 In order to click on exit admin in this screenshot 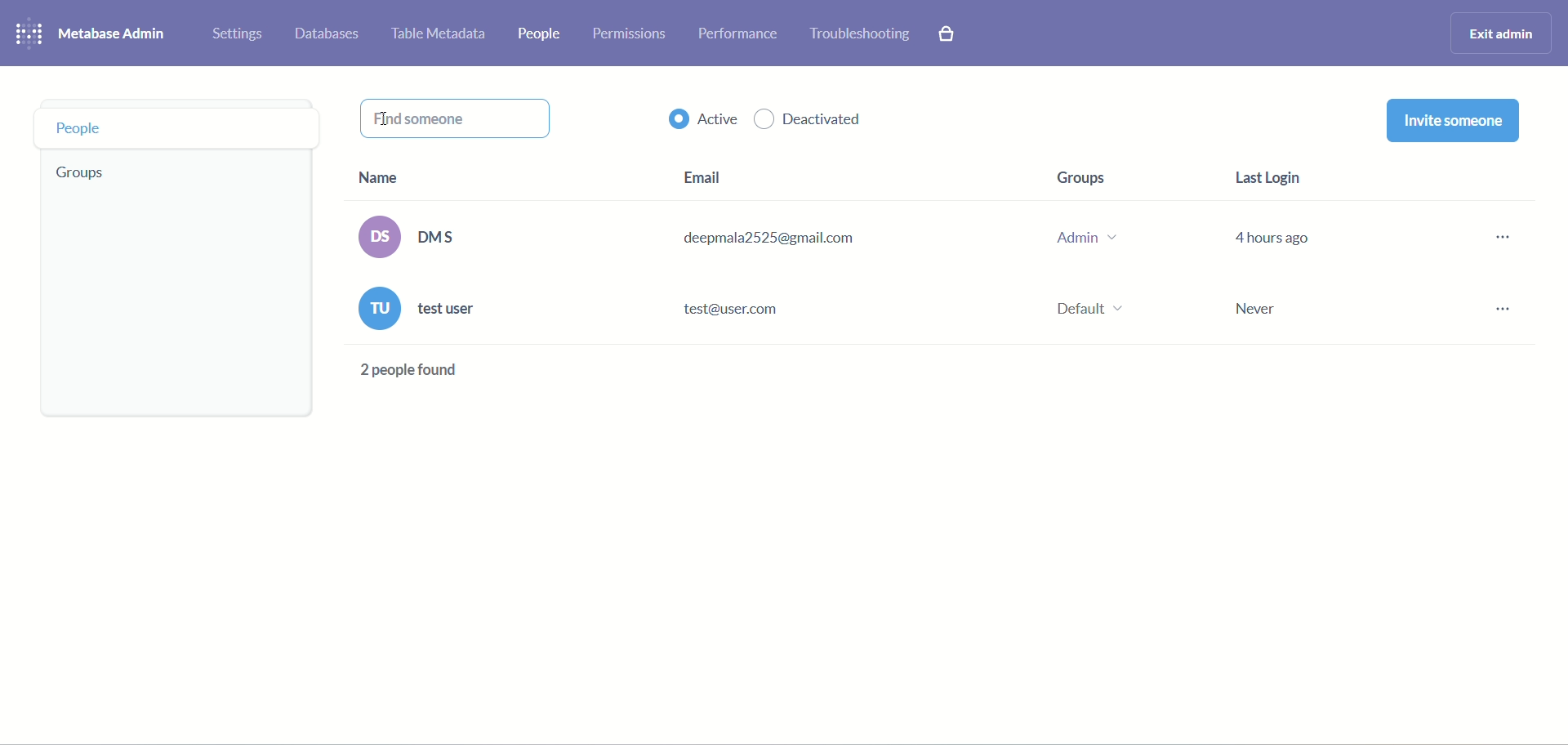, I will do `click(1498, 33)`.